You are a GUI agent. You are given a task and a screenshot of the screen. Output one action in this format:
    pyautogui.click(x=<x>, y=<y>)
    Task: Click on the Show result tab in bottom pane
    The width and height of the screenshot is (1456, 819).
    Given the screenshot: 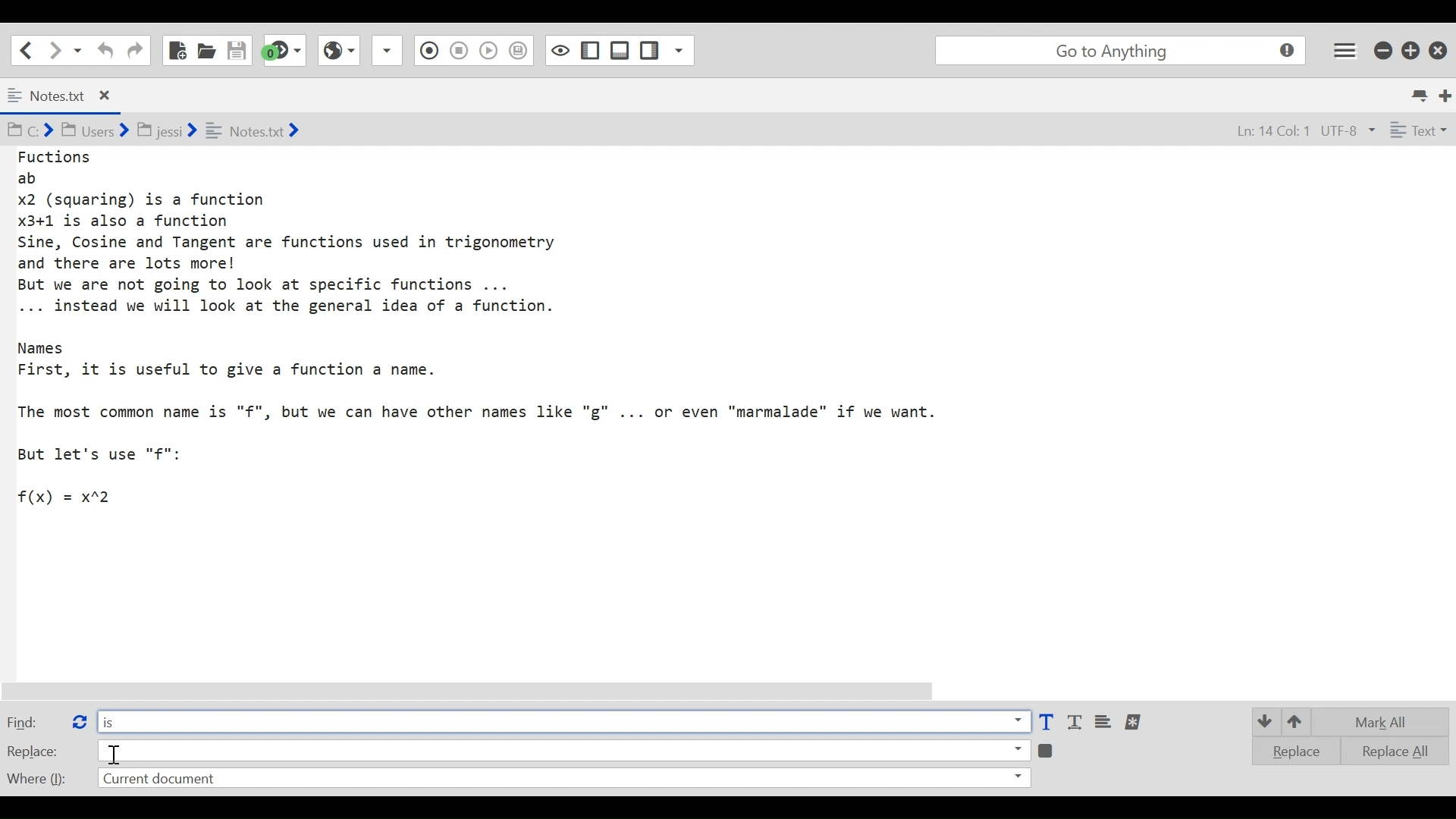 What is the action you would take?
    pyautogui.click(x=1048, y=749)
    